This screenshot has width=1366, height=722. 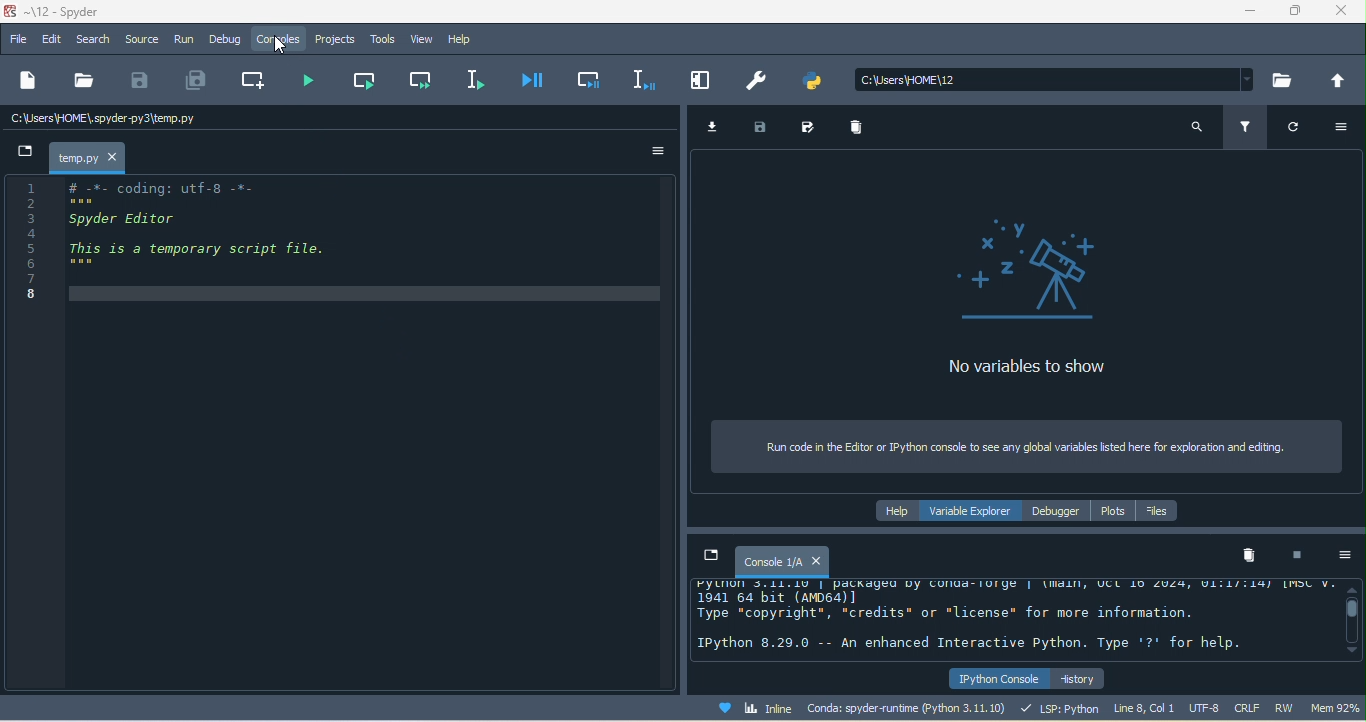 I want to click on save all, so click(x=195, y=80).